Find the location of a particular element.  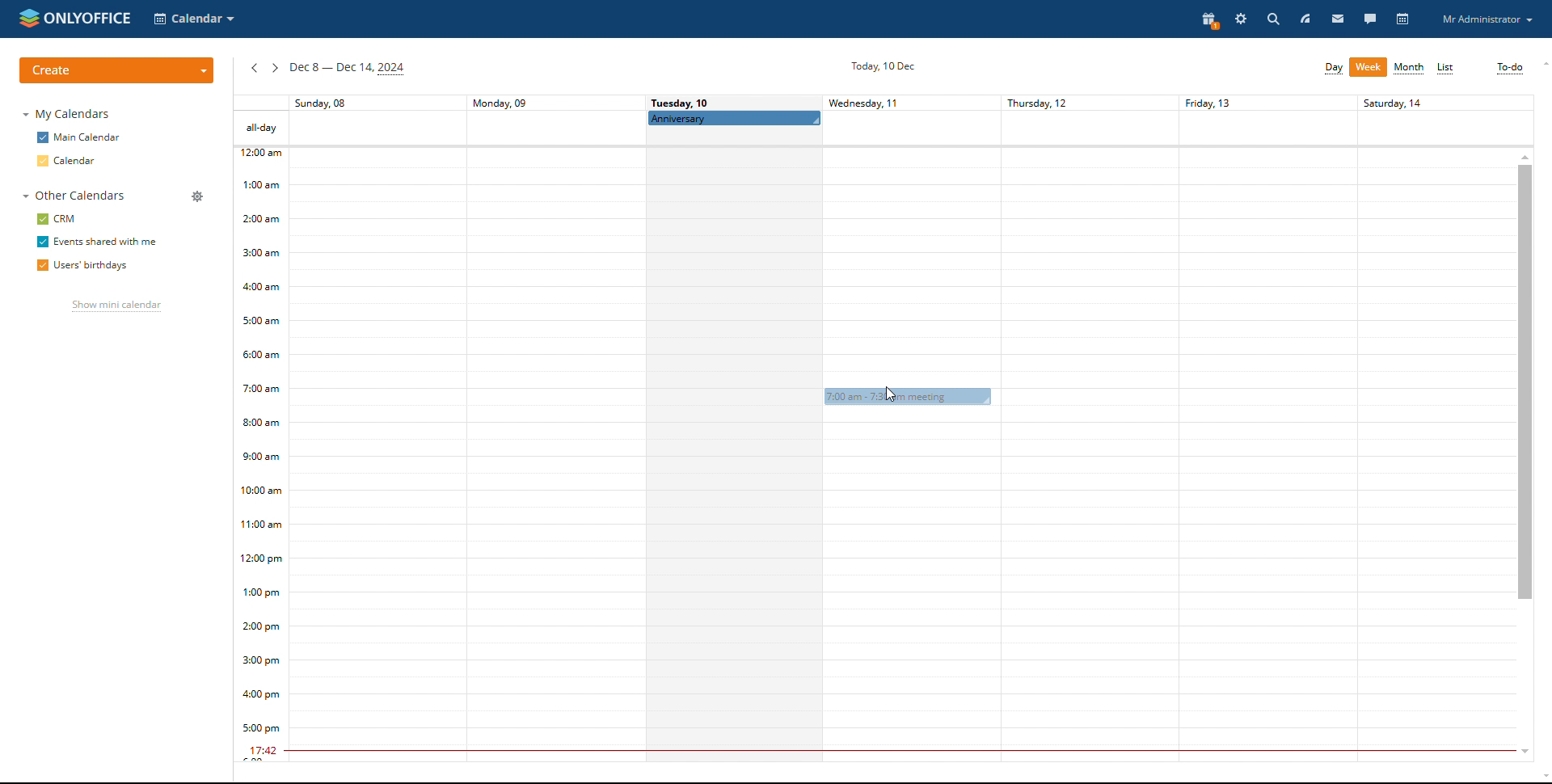

feed is located at coordinates (1323, 19).